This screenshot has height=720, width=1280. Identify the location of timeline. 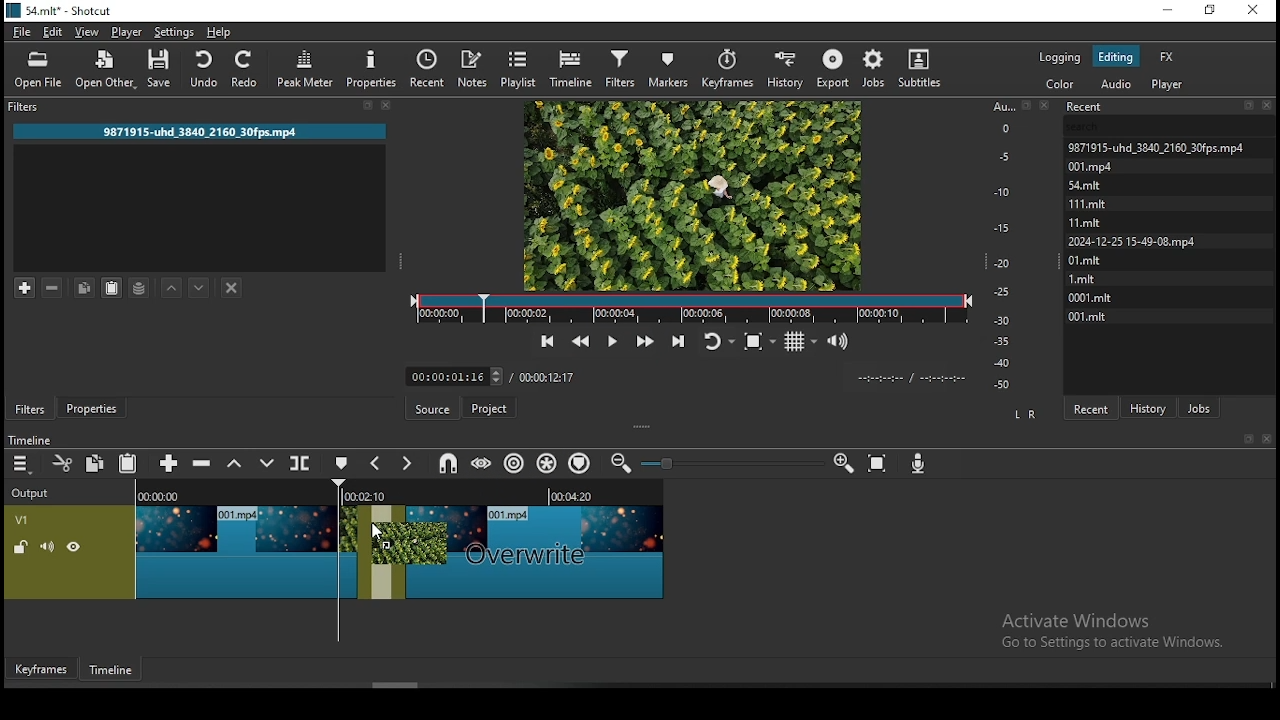
(29, 440).